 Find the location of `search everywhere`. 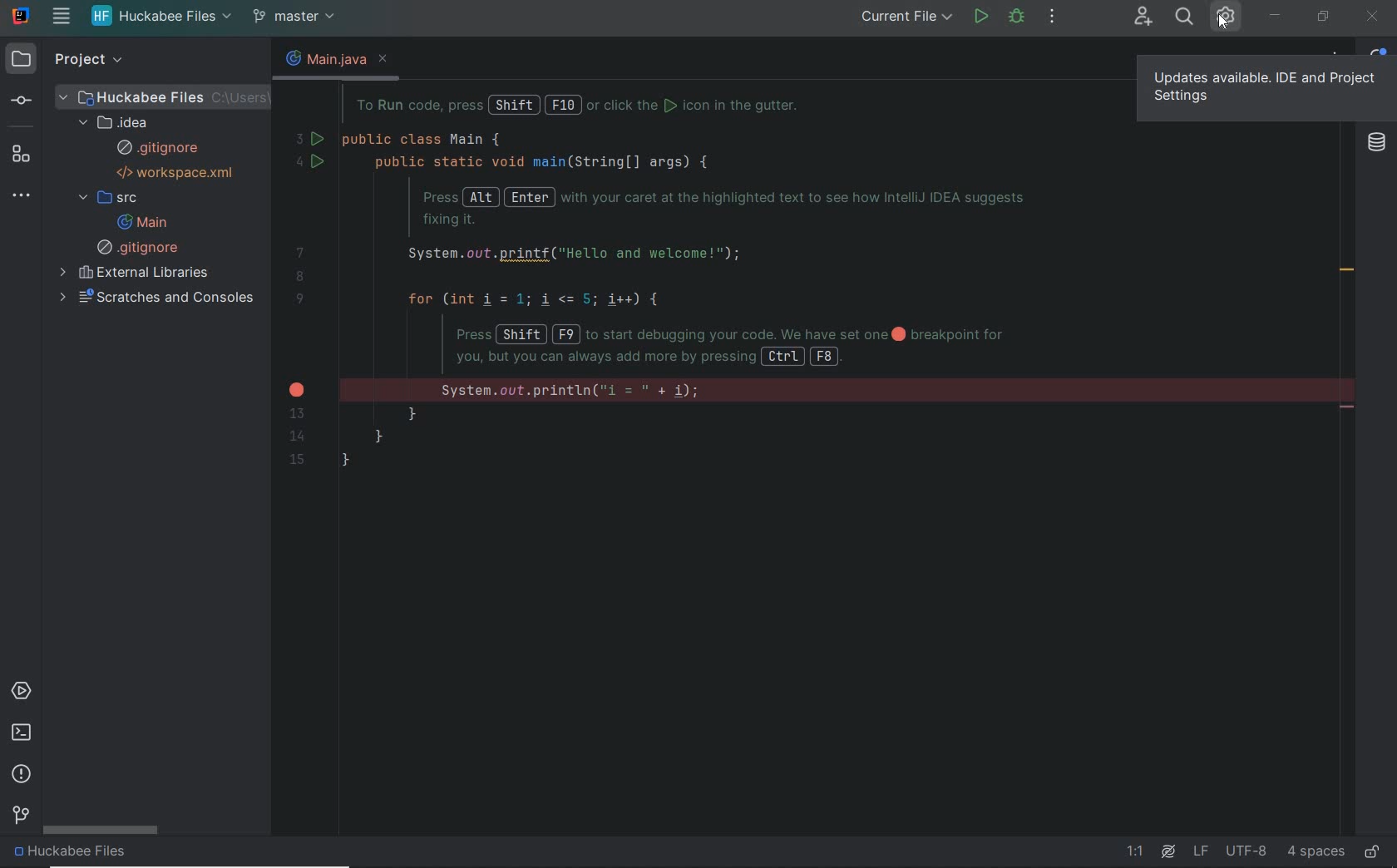

search everywhere is located at coordinates (1185, 18).